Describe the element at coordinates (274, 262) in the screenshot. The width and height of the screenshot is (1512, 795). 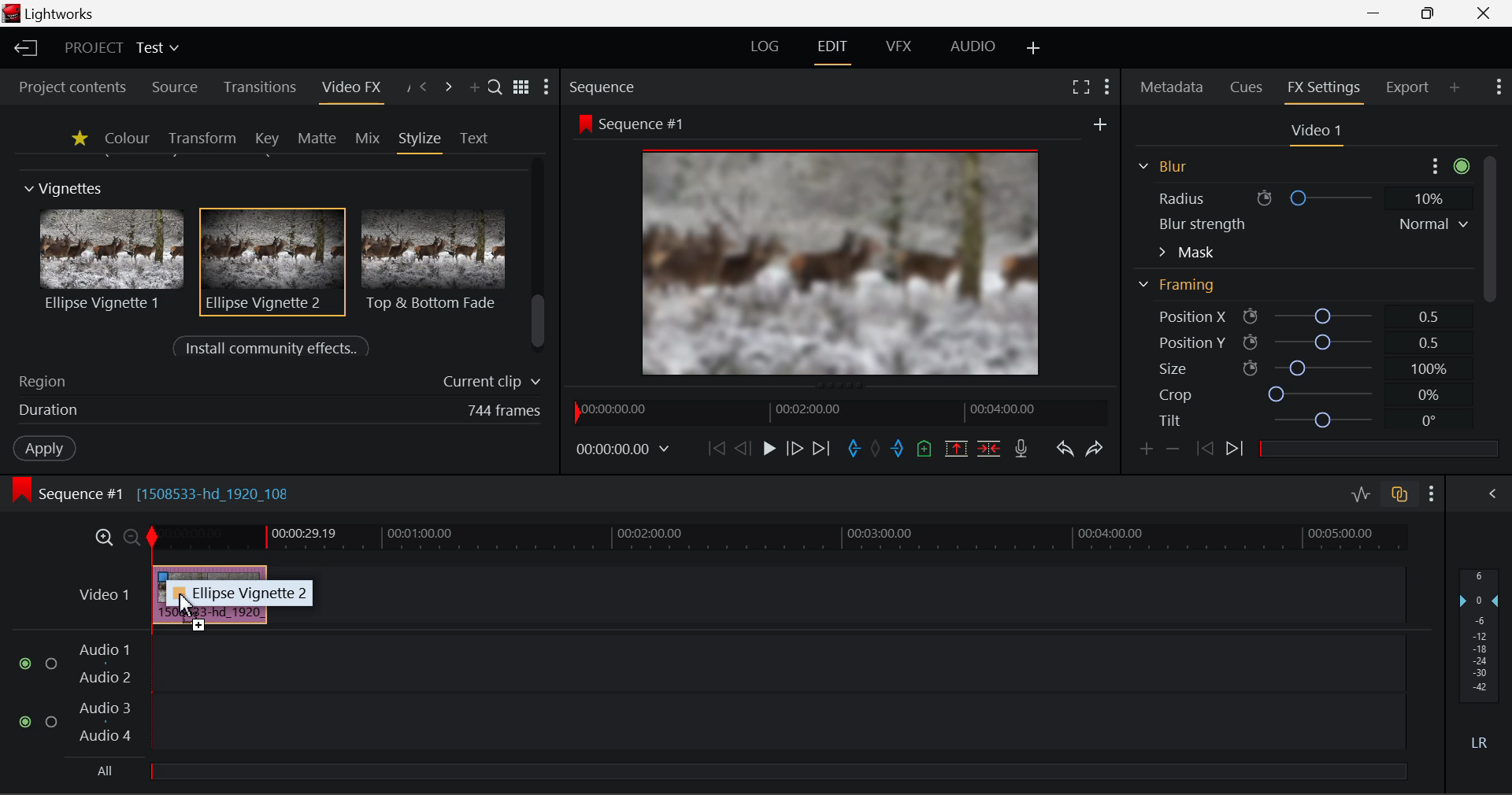
I see `Effect Selected` at that location.